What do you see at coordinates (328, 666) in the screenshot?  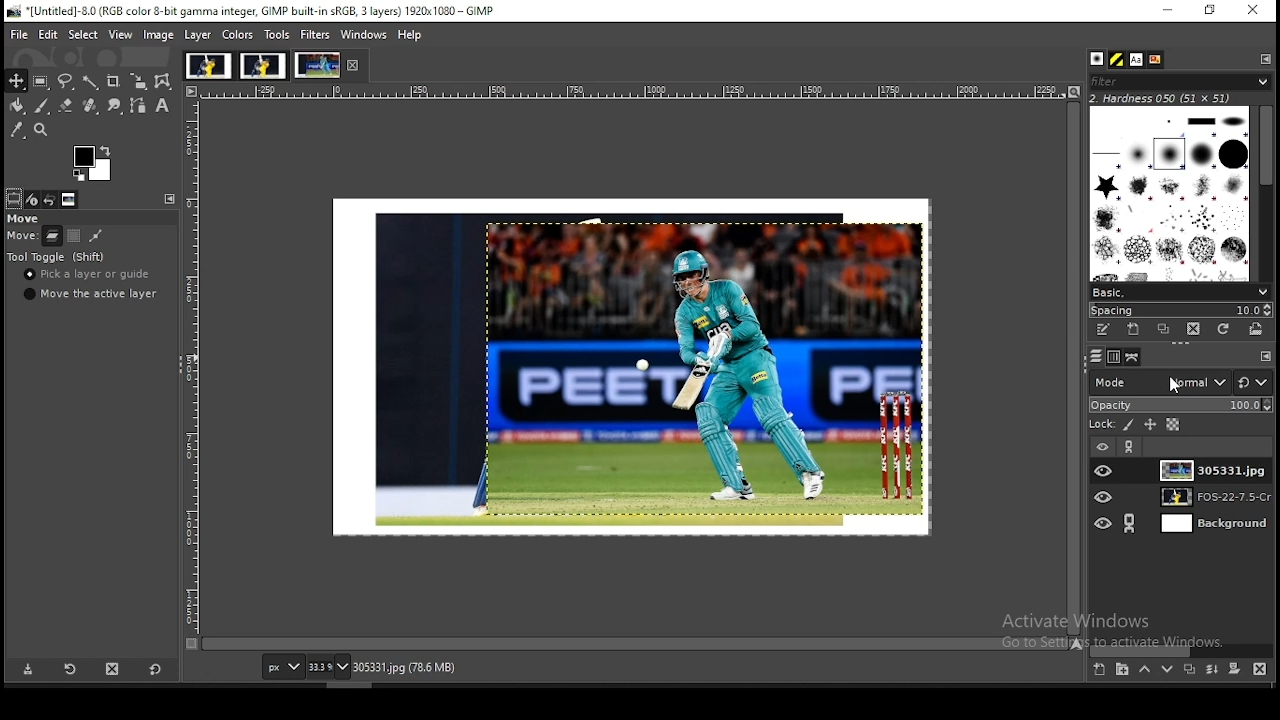 I see `zoom level` at bounding box center [328, 666].